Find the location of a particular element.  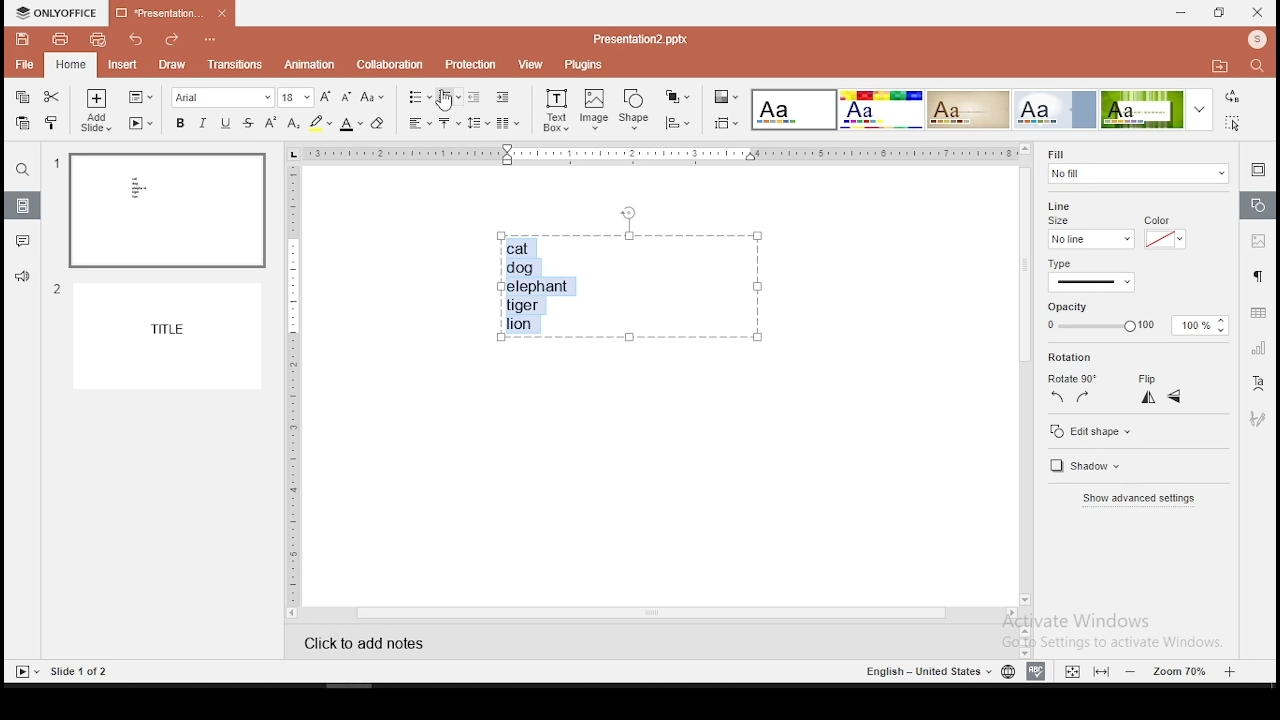

image is located at coordinates (594, 110).